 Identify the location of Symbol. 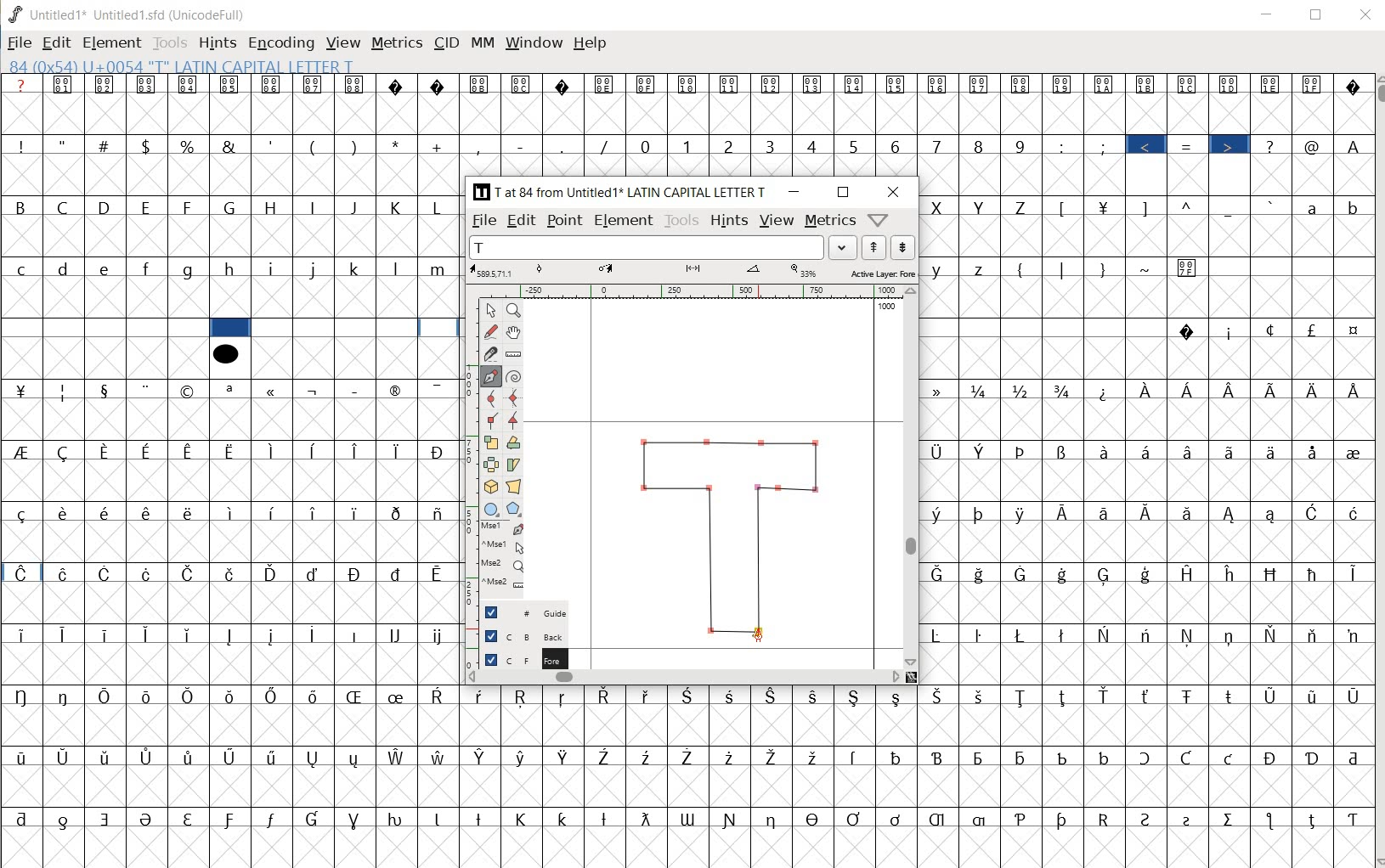
(1025, 574).